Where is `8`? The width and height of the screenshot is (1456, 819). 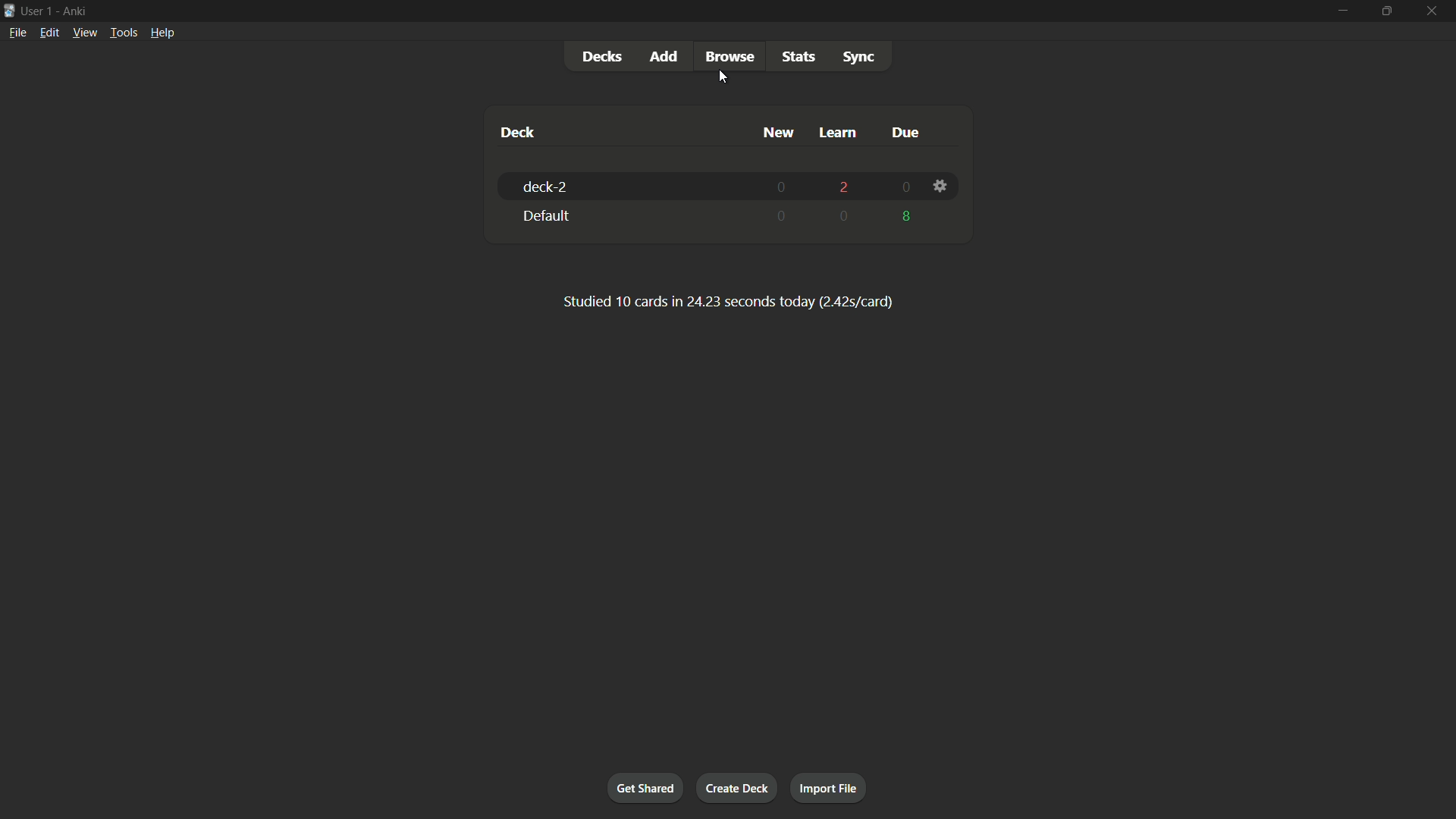 8 is located at coordinates (908, 215).